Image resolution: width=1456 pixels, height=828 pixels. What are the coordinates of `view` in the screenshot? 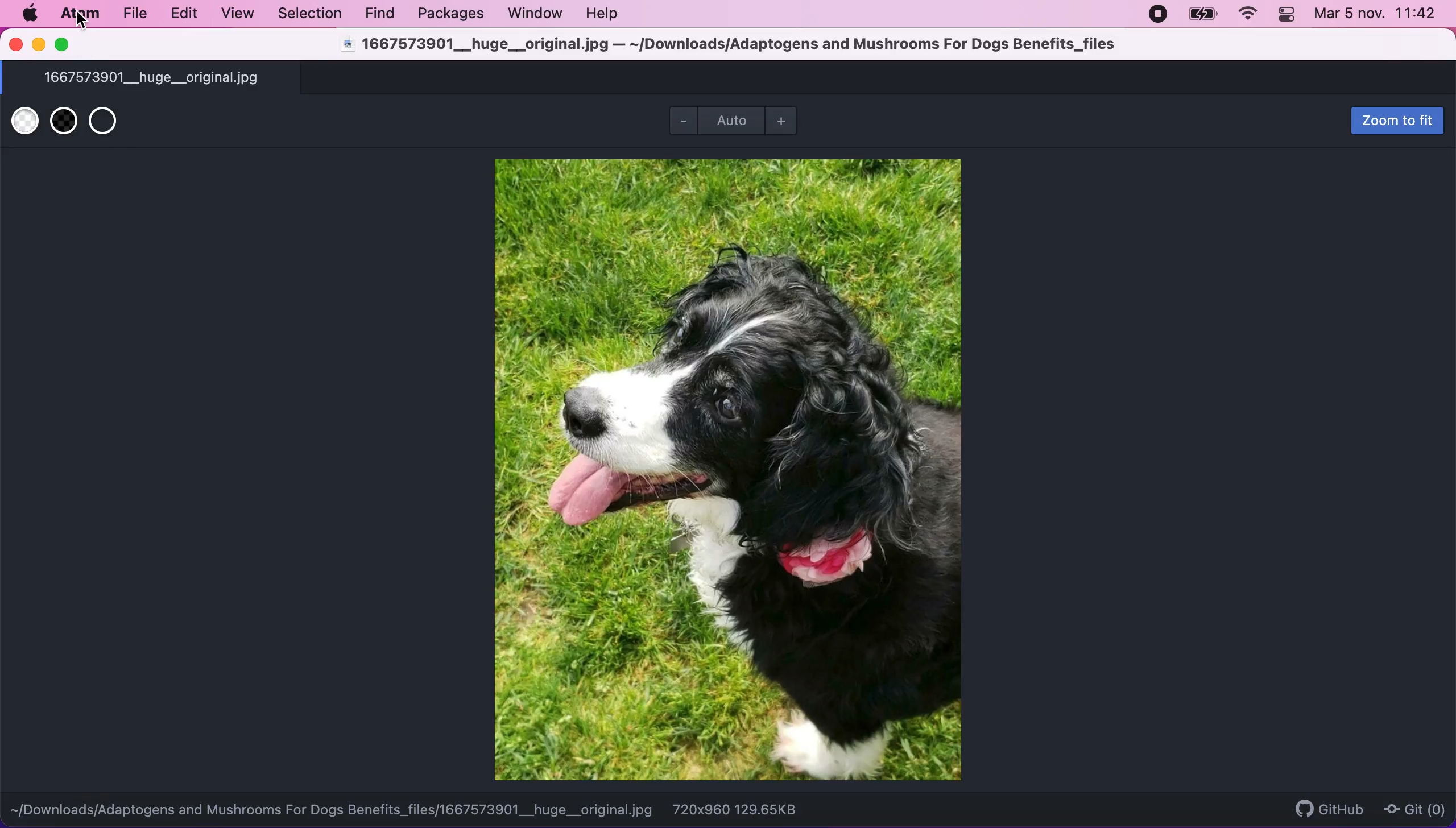 It's located at (235, 15).